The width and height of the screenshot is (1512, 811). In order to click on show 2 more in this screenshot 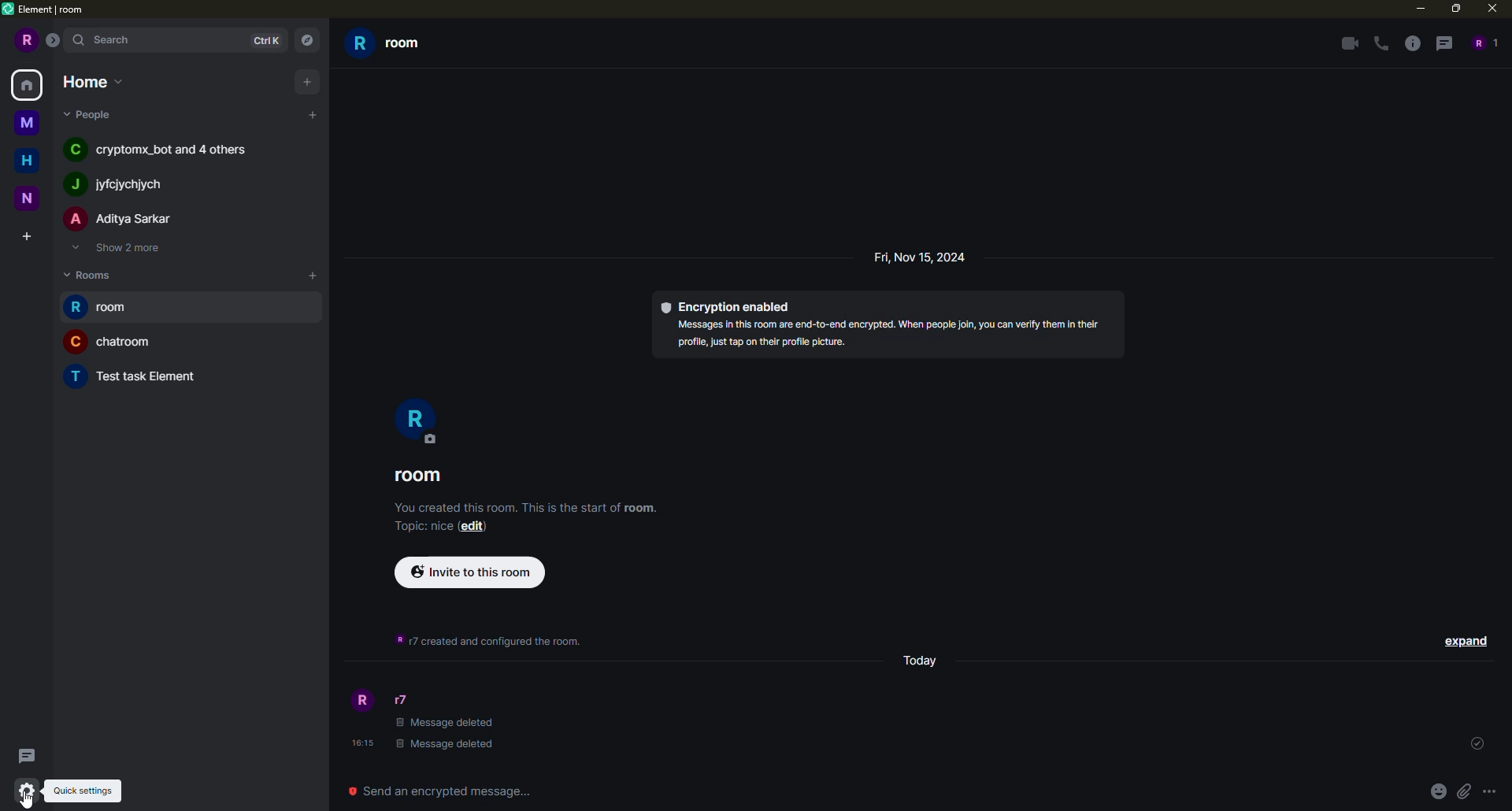, I will do `click(115, 247)`.